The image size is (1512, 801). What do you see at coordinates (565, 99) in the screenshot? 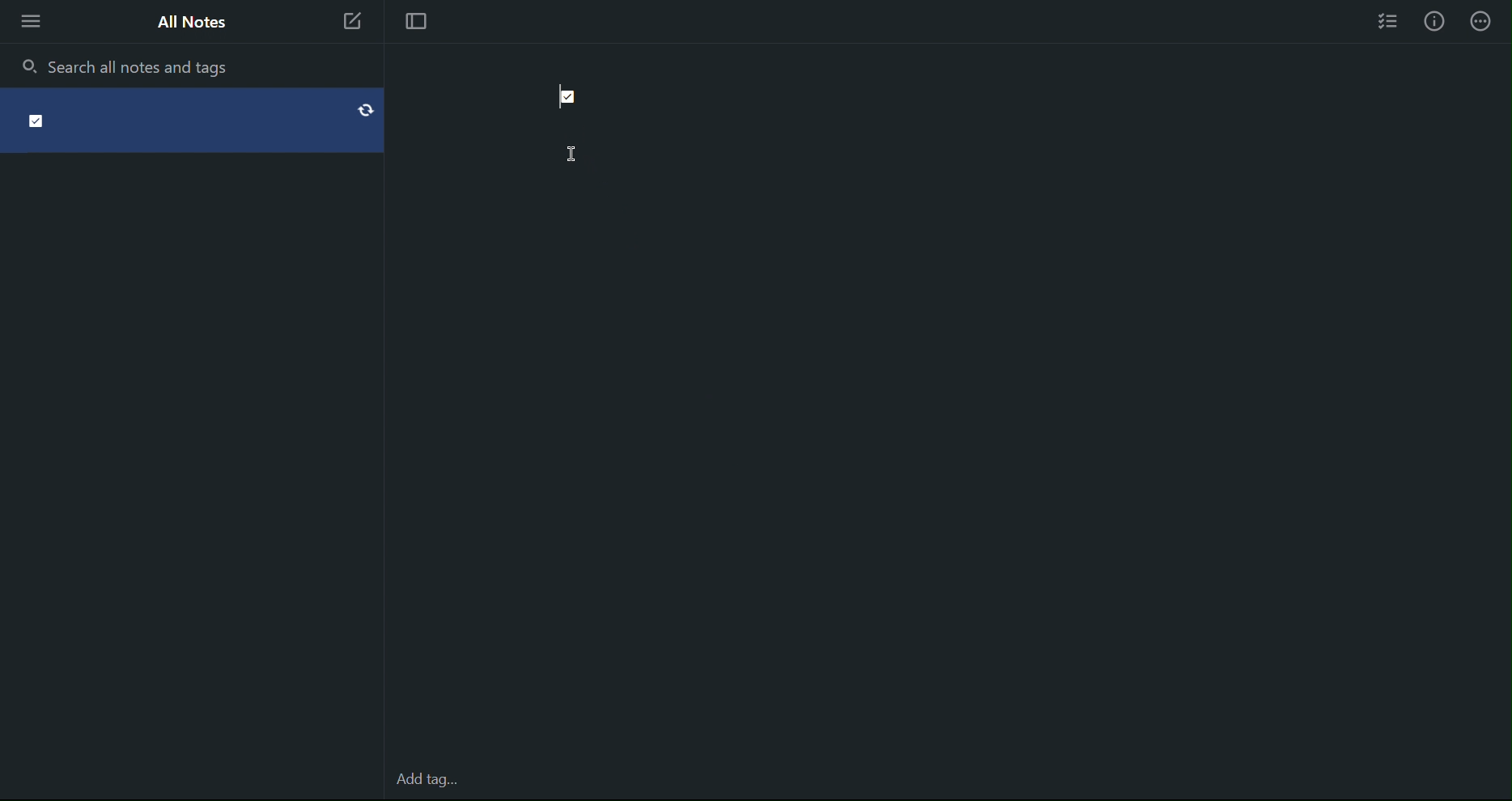
I see `Checkpoint (Checked)` at bounding box center [565, 99].